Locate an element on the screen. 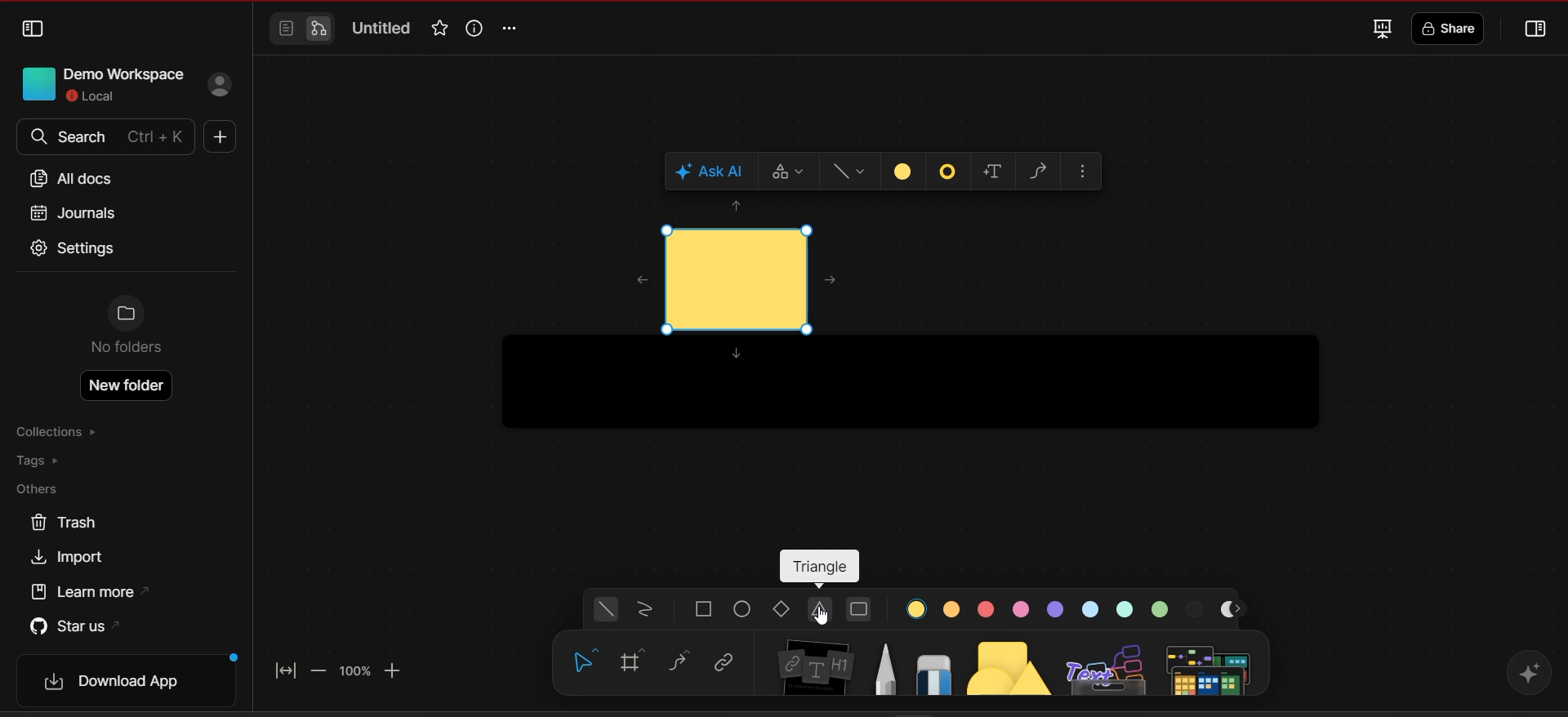 Image resolution: width=1568 pixels, height=717 pixels. options is located at coordinates (514, 29).